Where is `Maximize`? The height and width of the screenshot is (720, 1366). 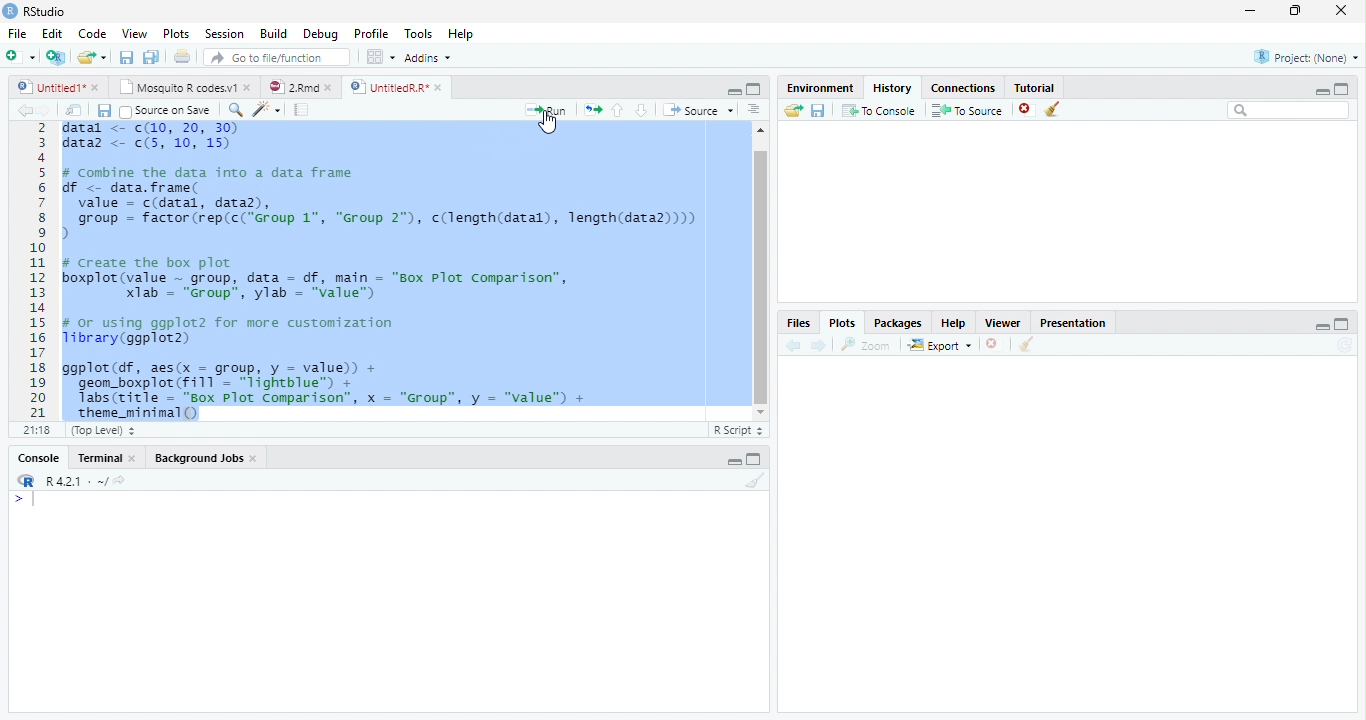
Maximize is located at coordinates (754, 459).